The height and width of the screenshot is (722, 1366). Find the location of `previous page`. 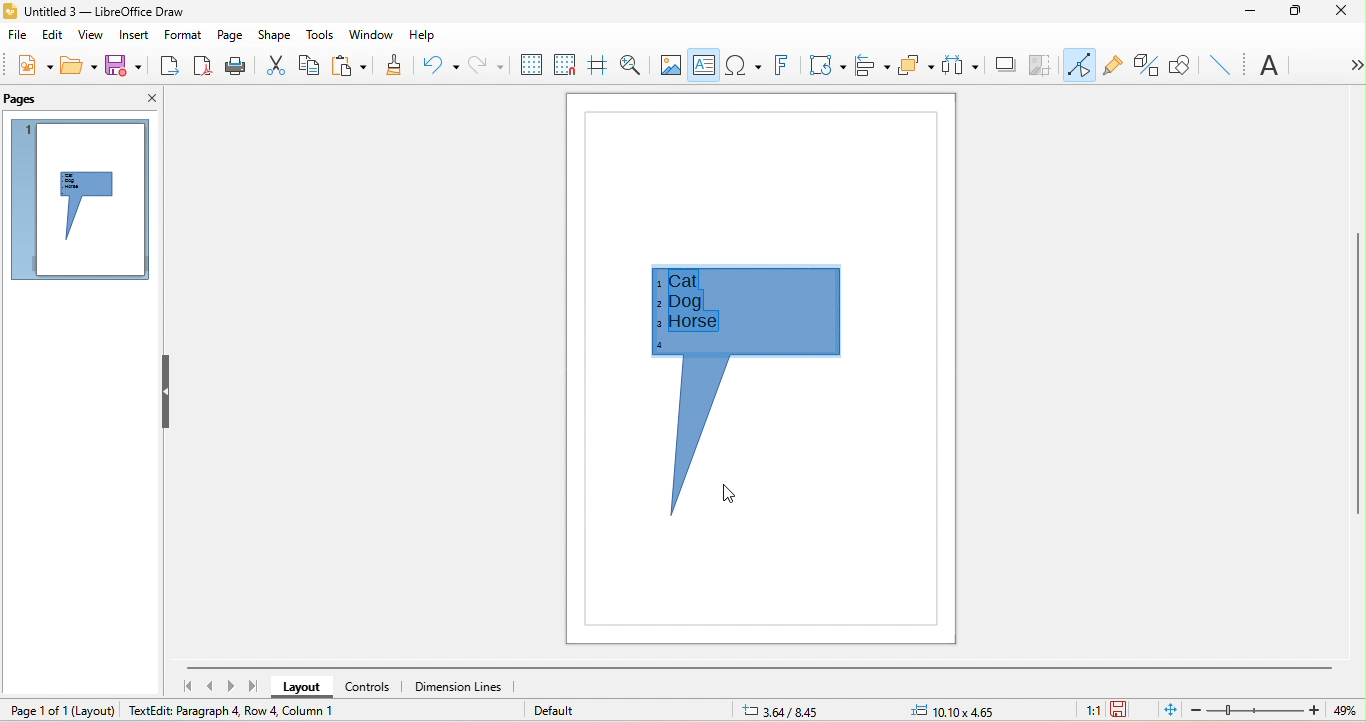

previous page is located at coordinates (212, 687).